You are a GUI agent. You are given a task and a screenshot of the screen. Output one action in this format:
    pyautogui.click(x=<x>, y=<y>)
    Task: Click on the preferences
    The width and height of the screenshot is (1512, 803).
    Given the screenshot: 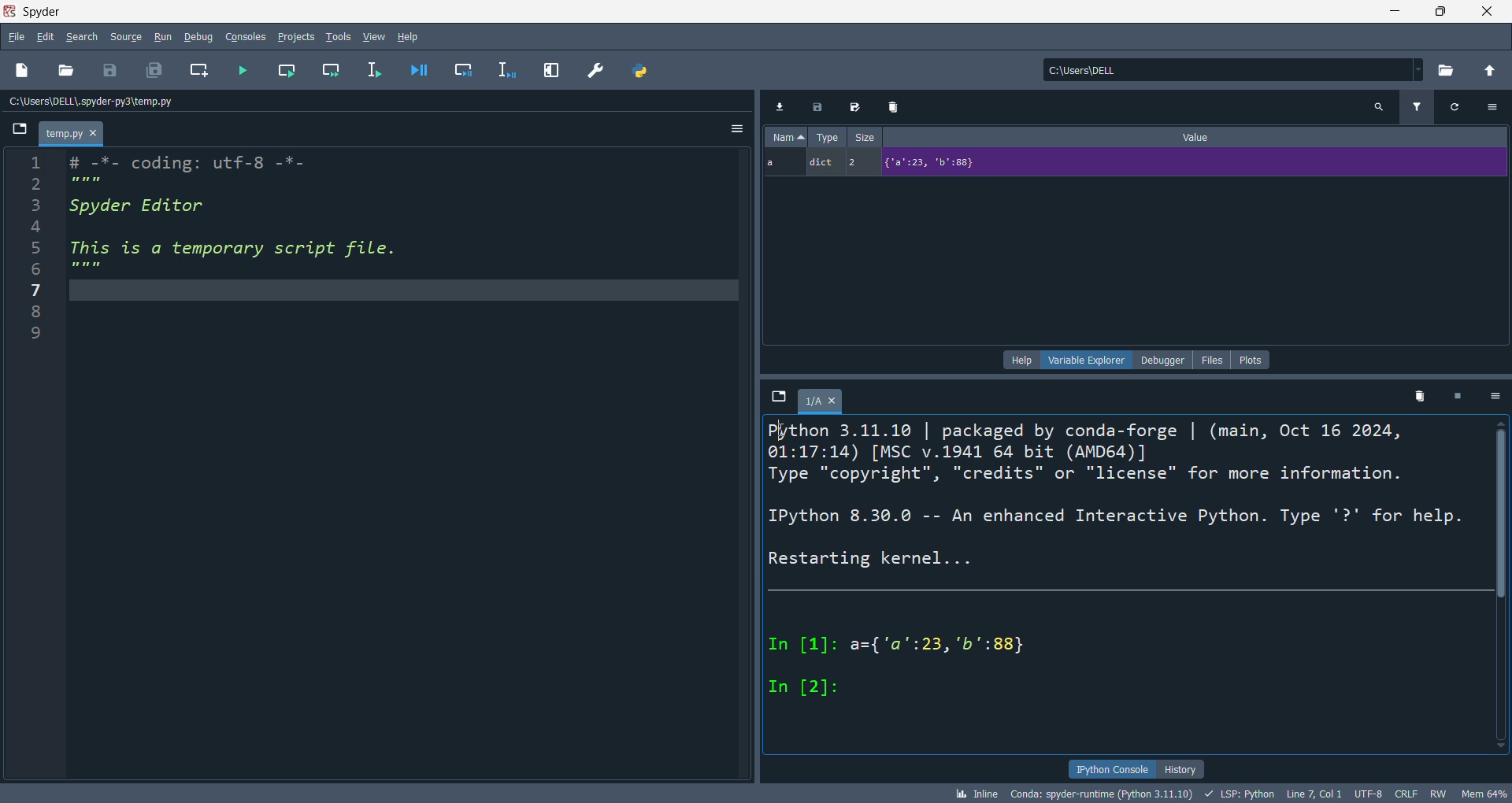 What is the action you would take?
    pyautogui.click(x=598, y=72)
    